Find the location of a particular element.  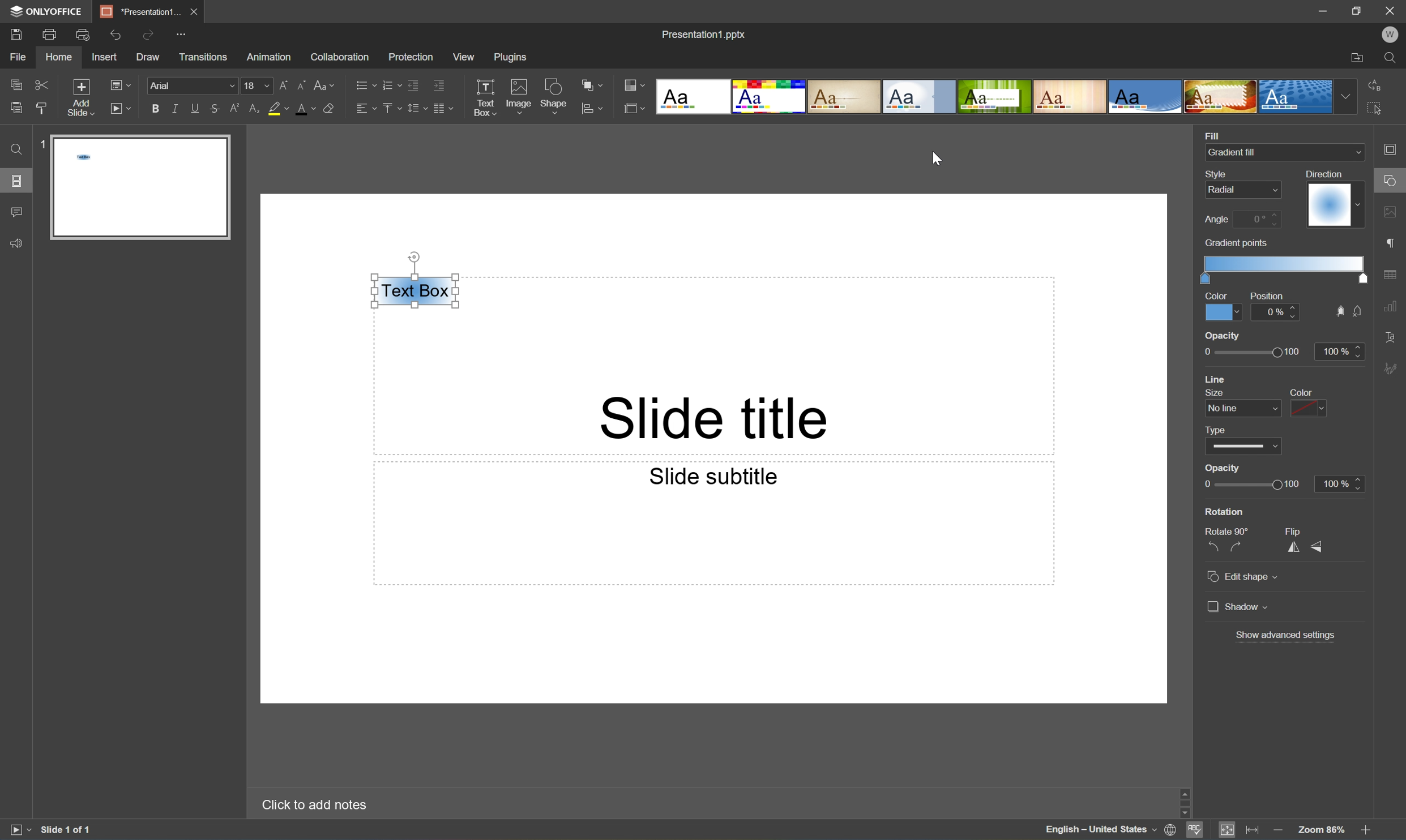

Add gradient point is located at coordinates (1339, 311).